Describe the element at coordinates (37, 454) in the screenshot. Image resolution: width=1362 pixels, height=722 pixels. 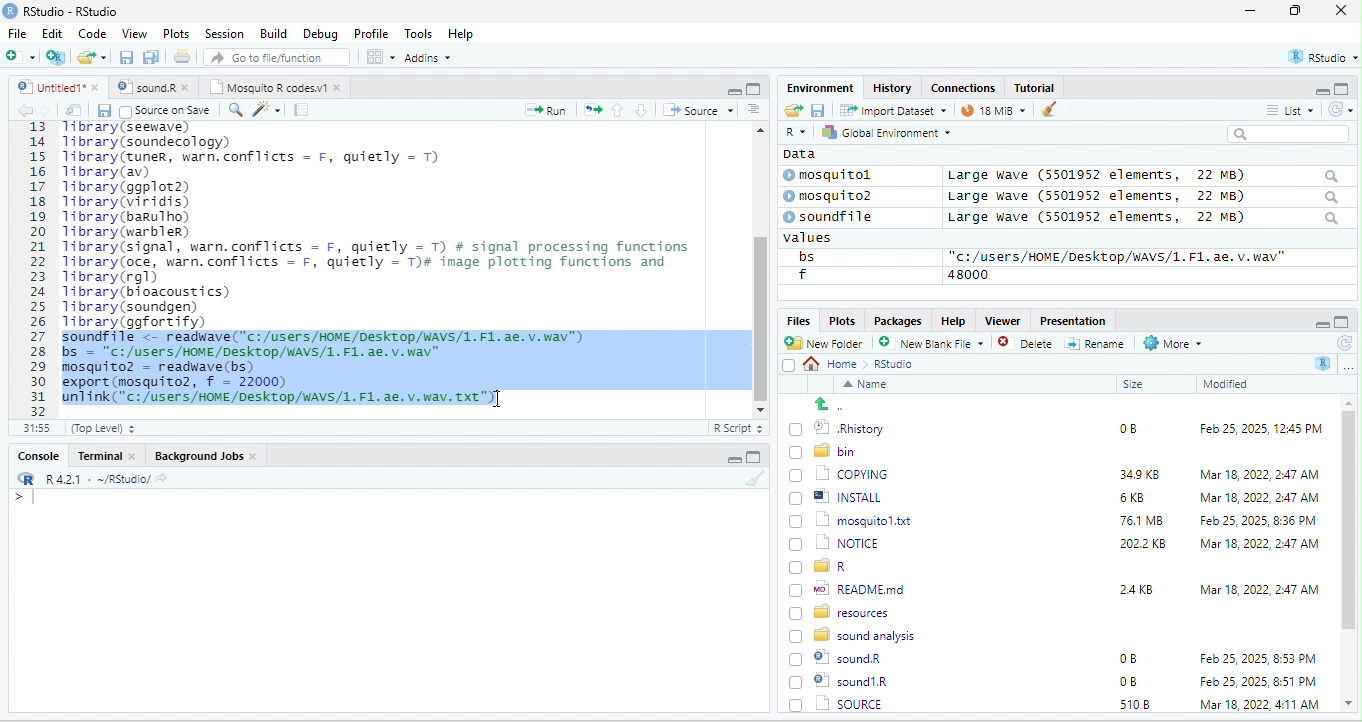
I see `Console` at that location.